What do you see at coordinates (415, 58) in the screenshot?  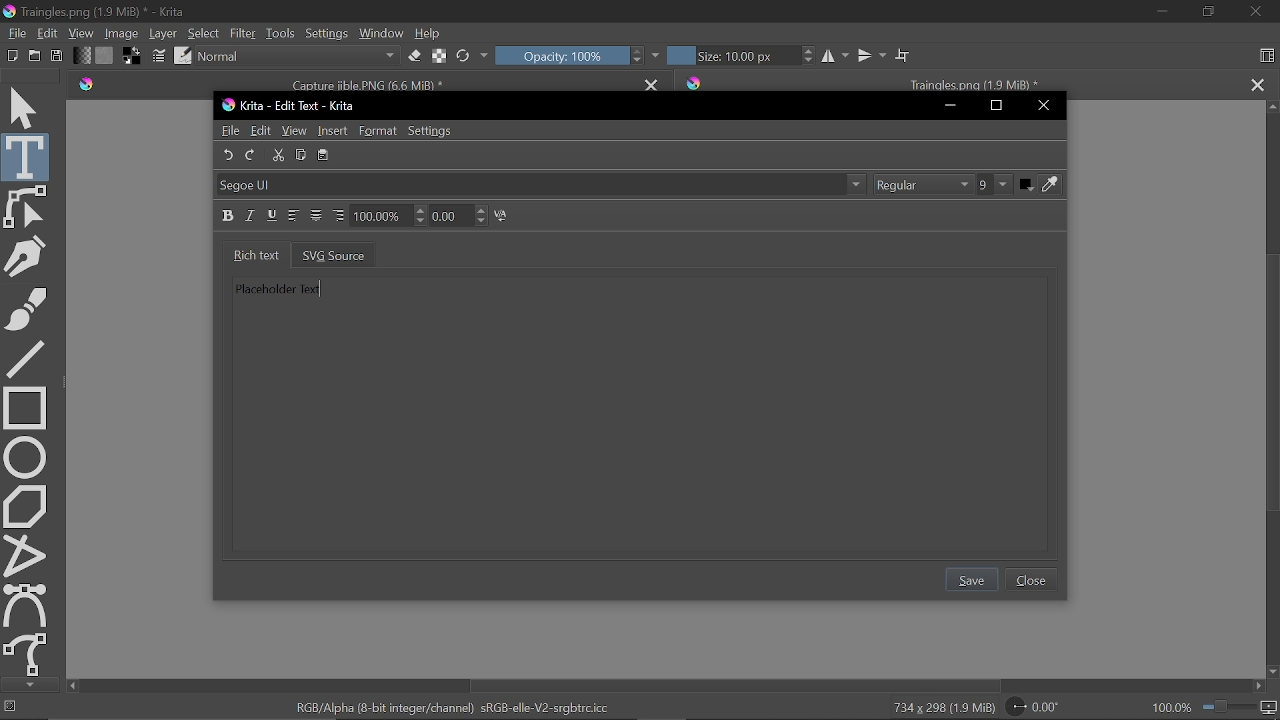 I see `eraser` at bounding box center [415, 58].